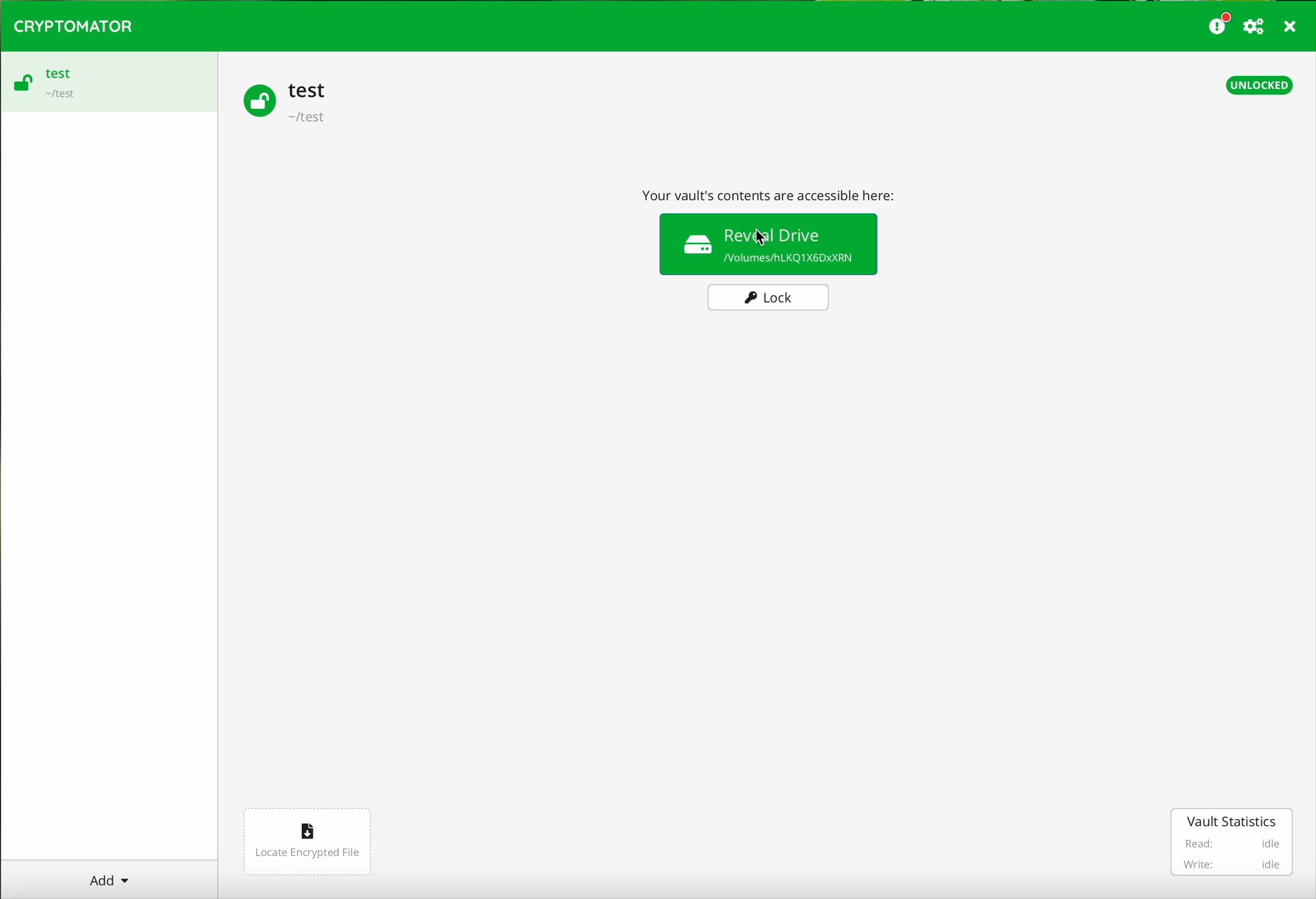 This screenshot has width=1316, height=899. Describe the element at coordinates (308, 119) in the screenshot. I see `~/test` at that location.